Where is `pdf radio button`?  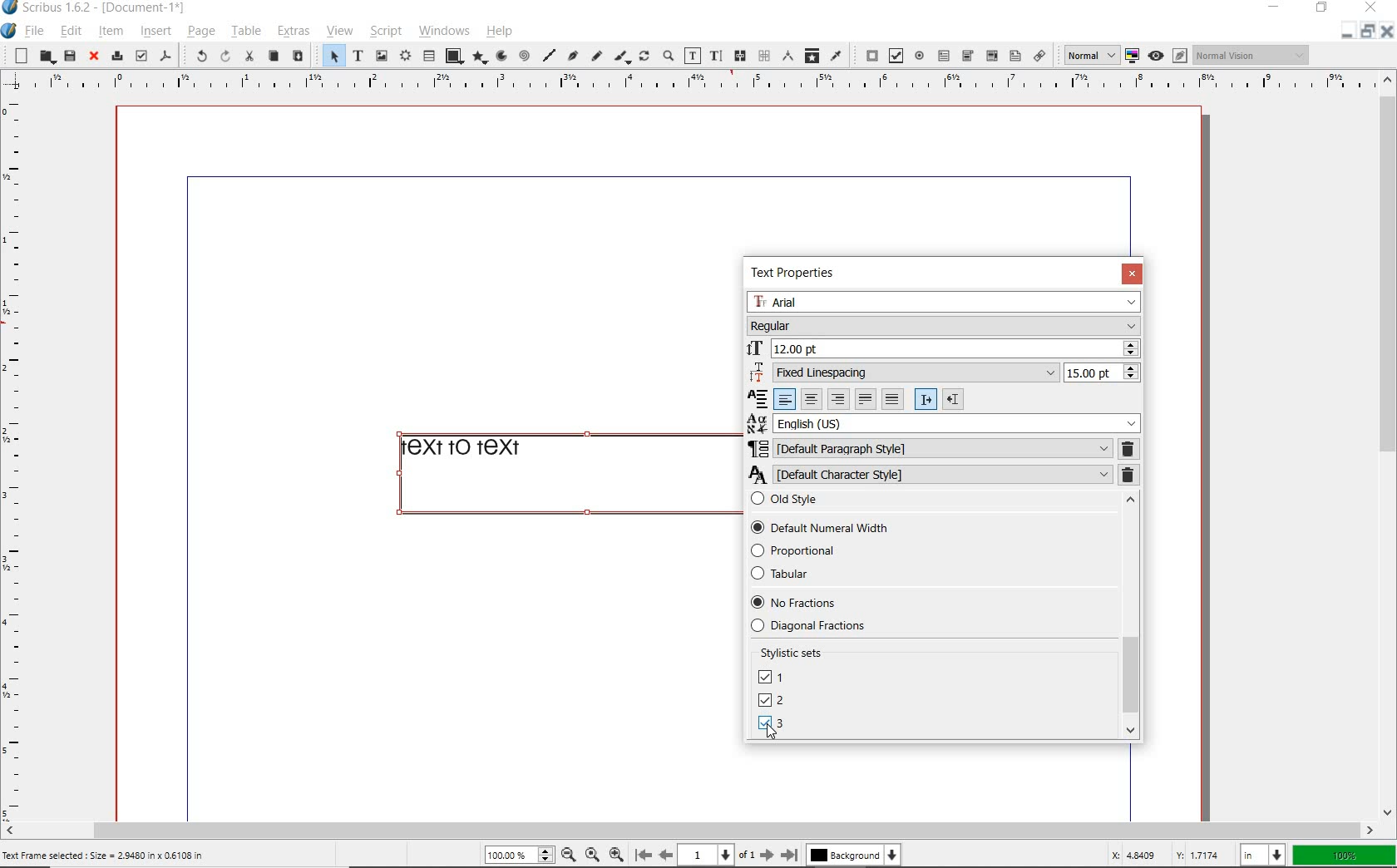
pdf radio button is located at coordinates (920, 57).